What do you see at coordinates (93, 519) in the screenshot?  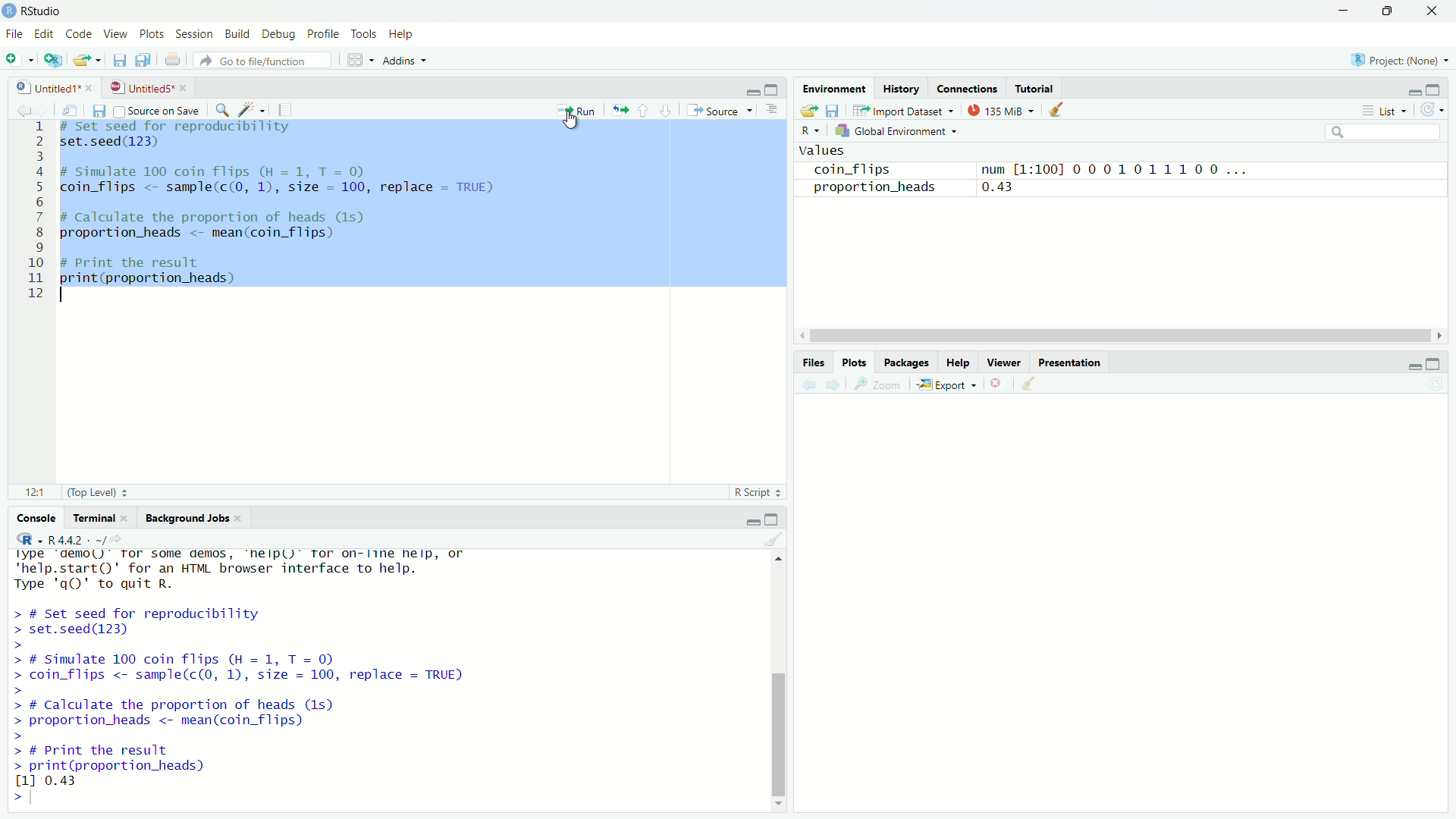 I see `terminal` at bounding box center [93, 519].